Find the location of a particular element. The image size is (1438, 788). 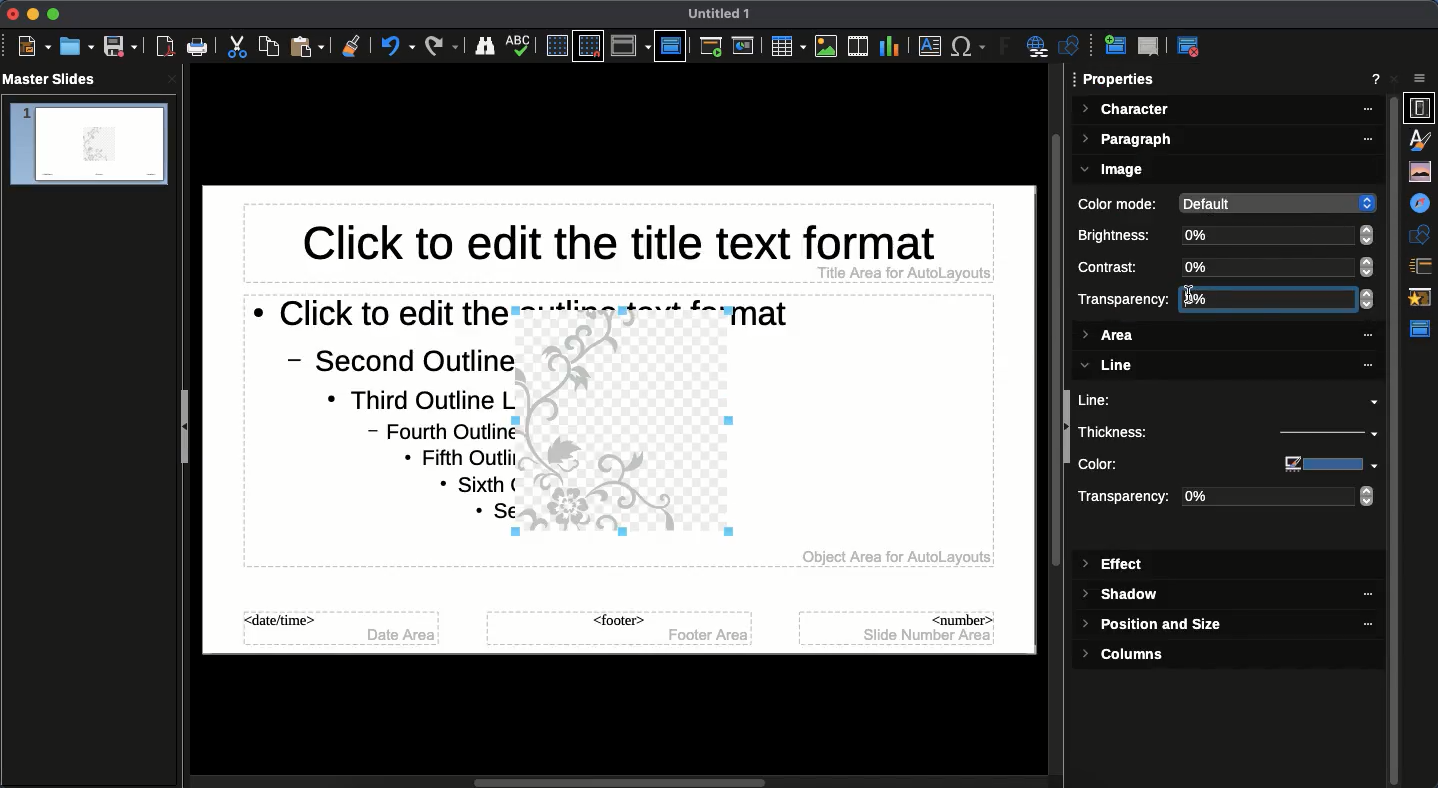

Line is located at coordinates (1233, 400).